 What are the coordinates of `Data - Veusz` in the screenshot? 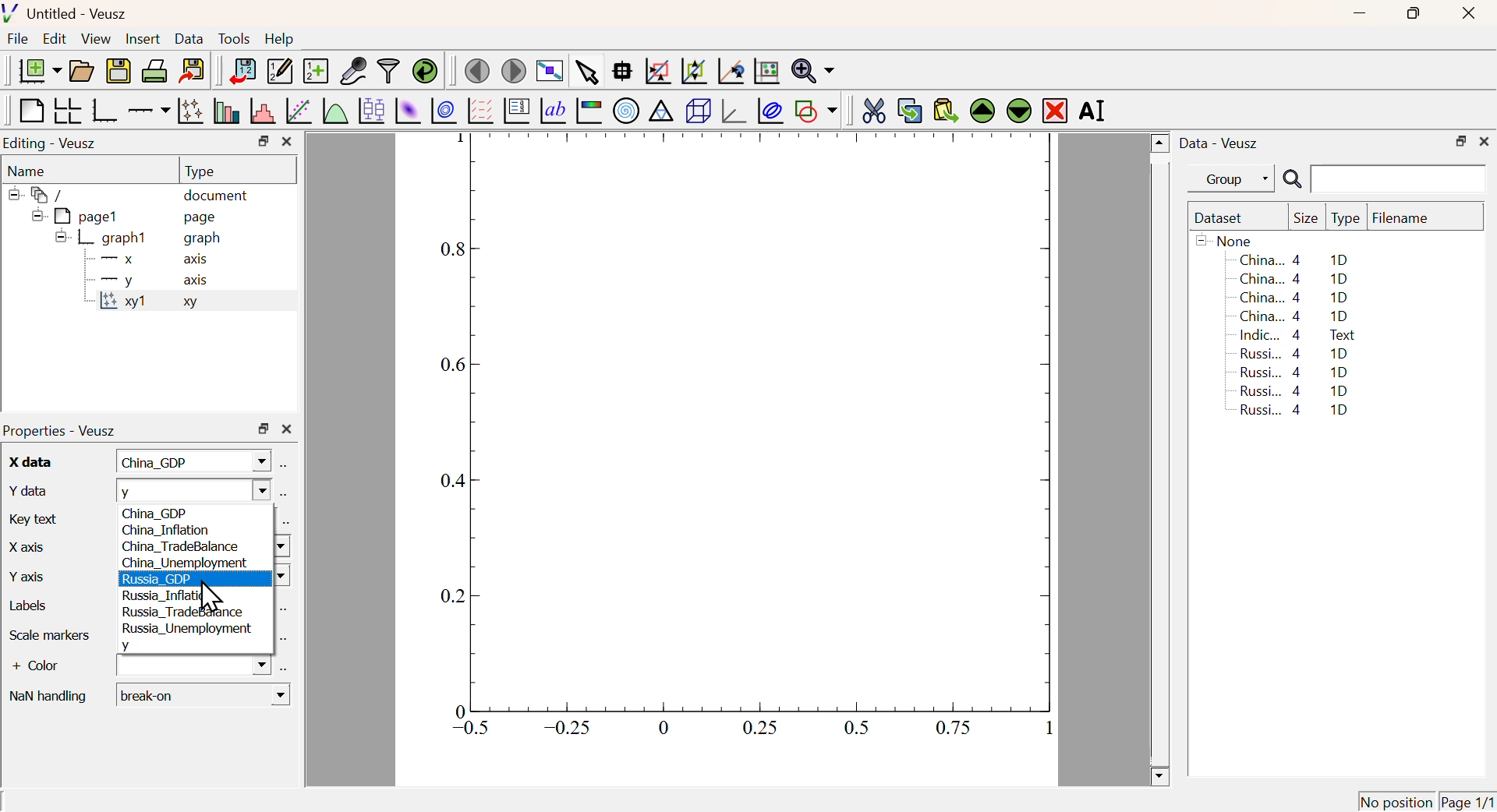 It's located at (1222, 144).